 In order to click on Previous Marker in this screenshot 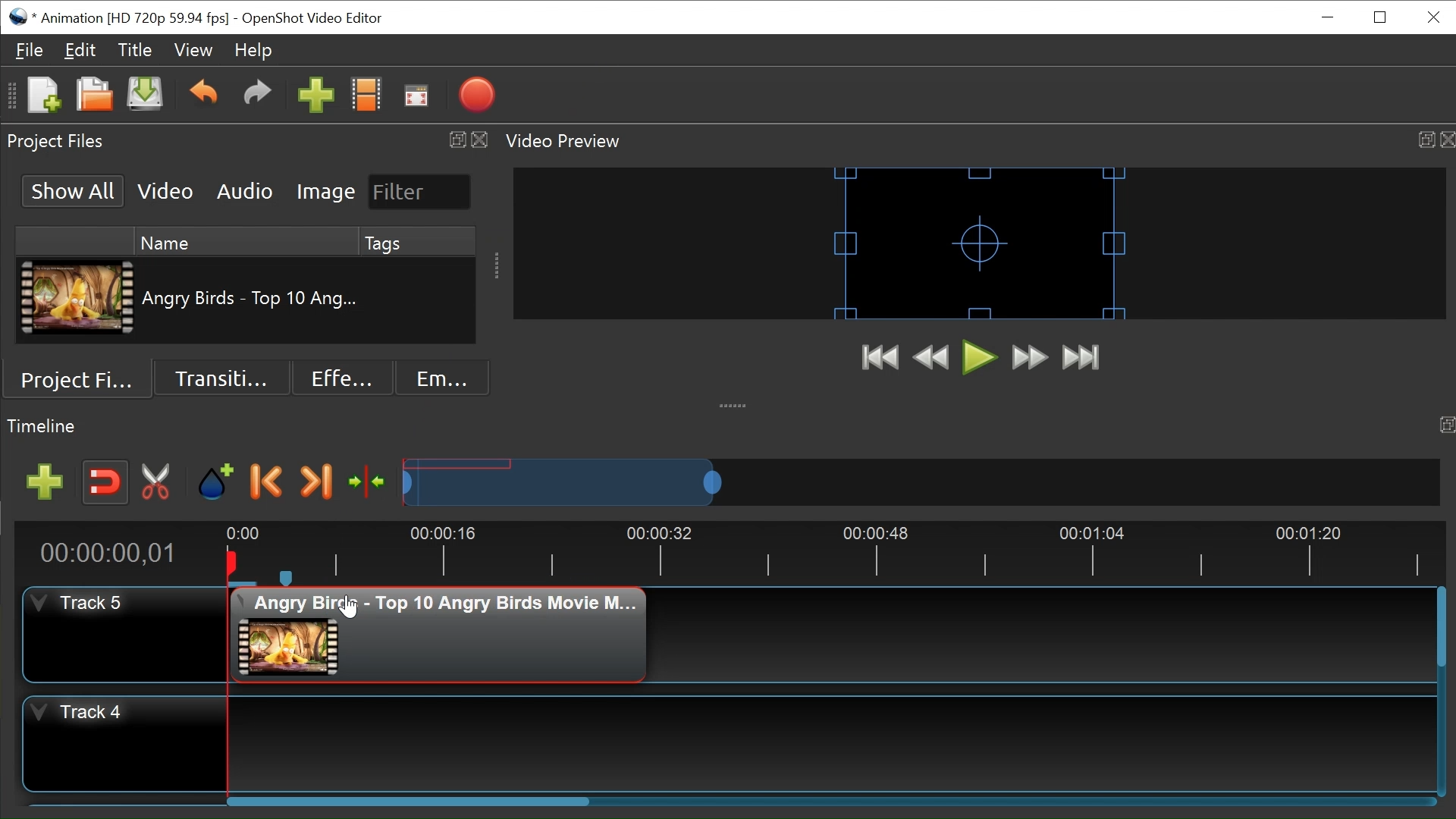, I will do `click(267, 482)`.